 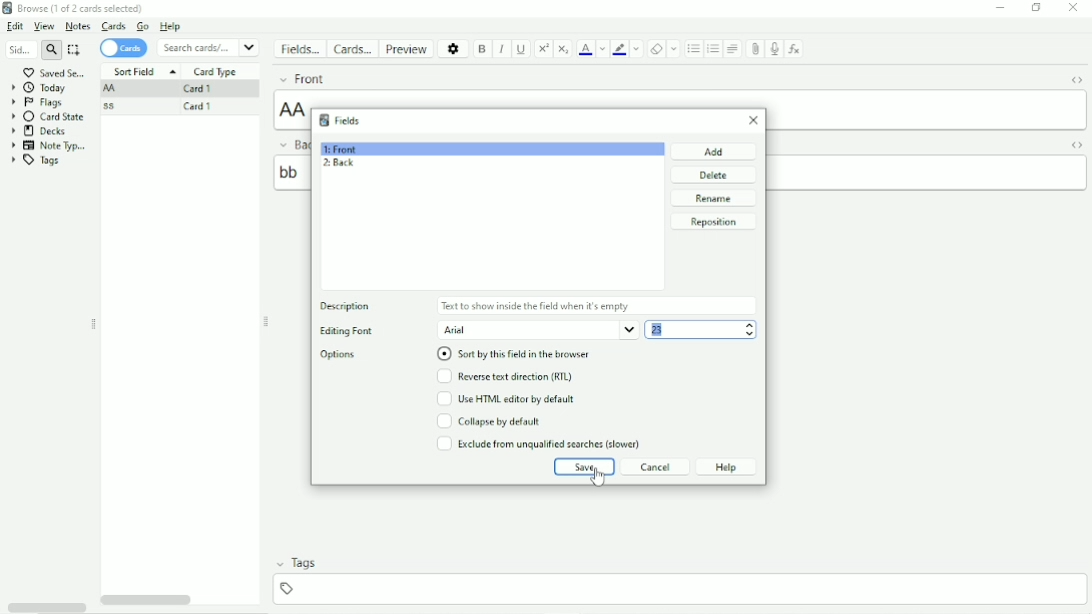 What do you see at coordinates (359, 330) in the screenshot?
I see `Editing Font` at bounding box center [359, 330].